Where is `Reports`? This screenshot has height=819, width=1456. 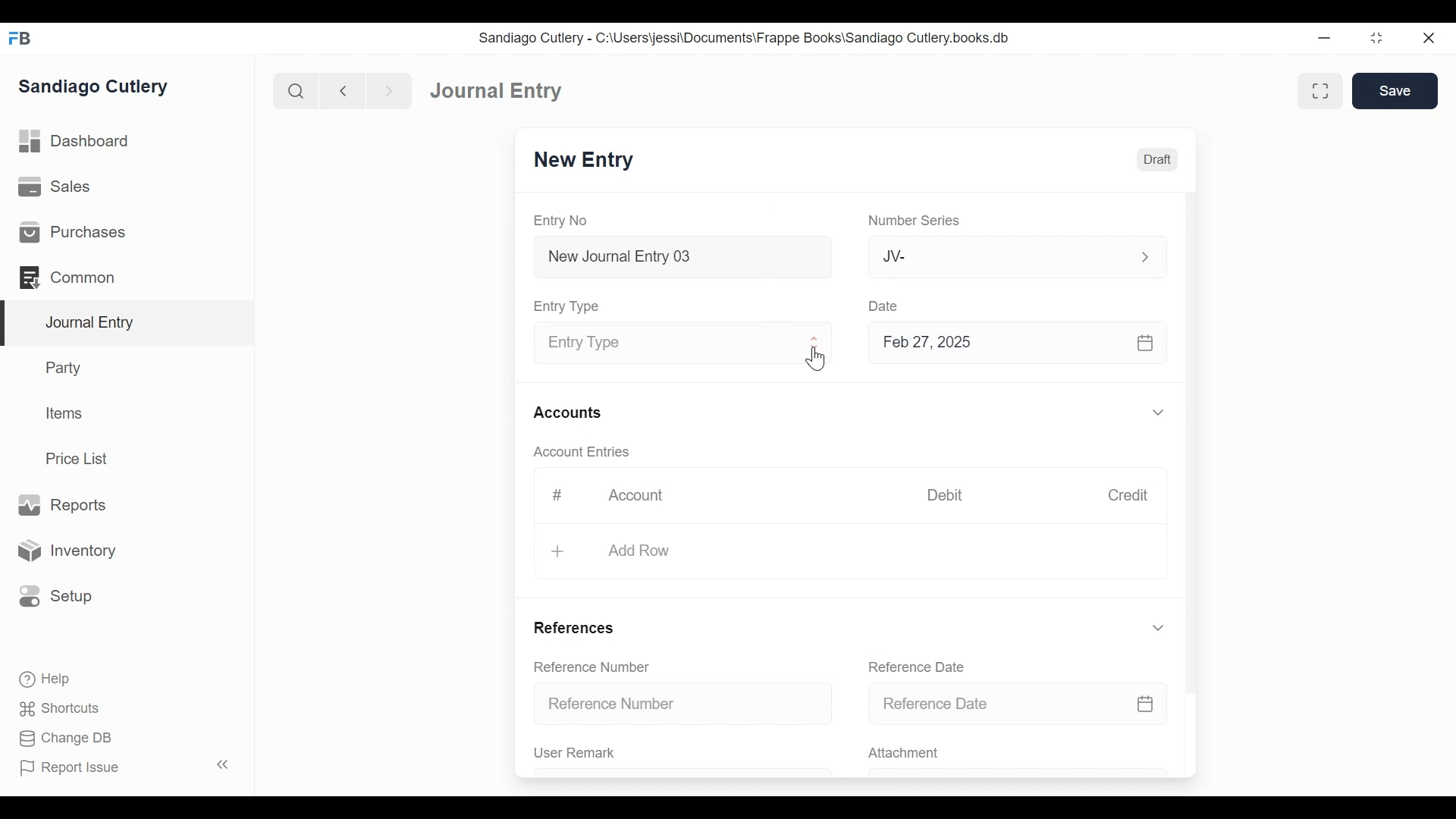
Reports is located at coordinates (67, 505).